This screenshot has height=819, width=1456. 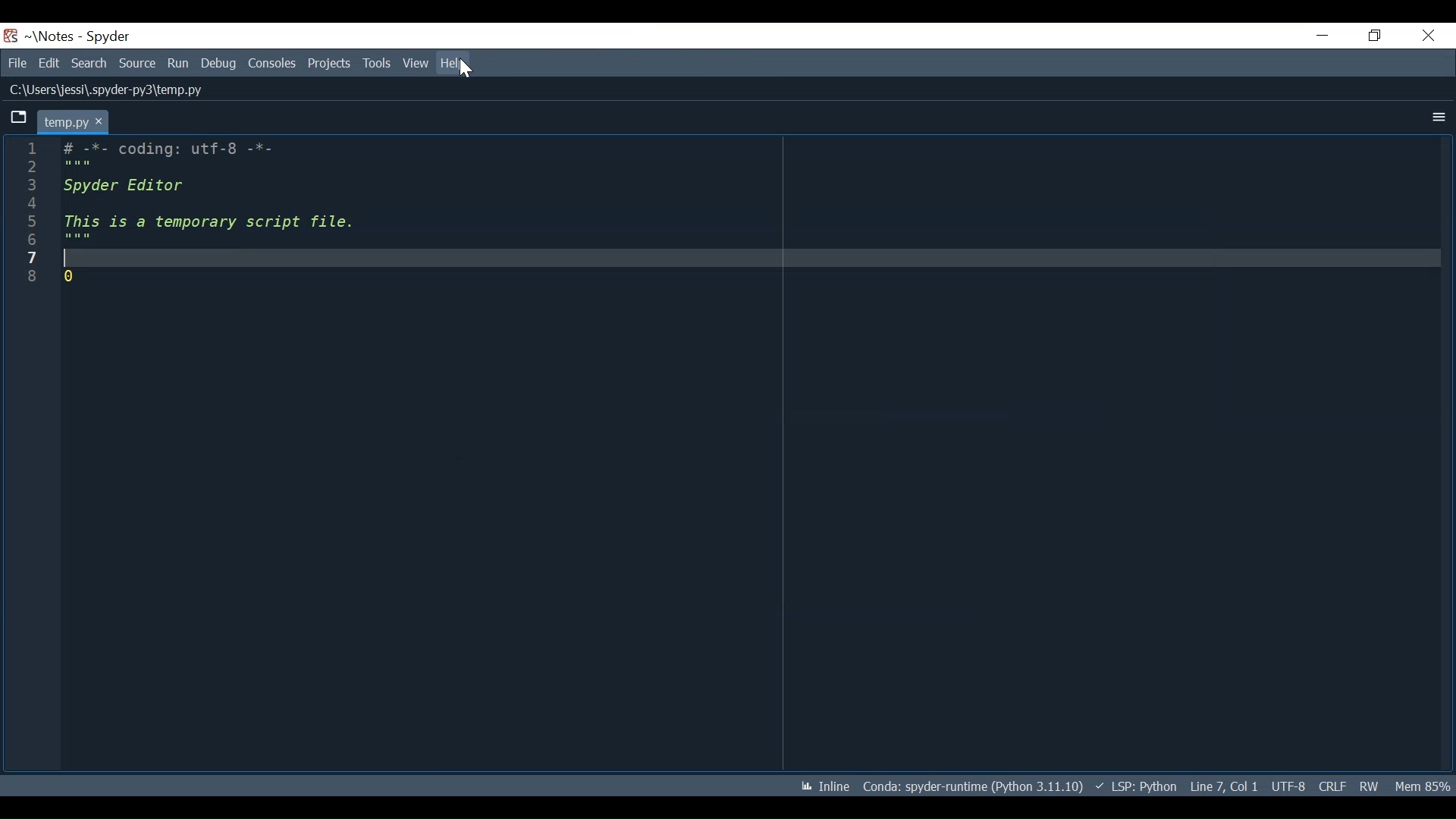 I want to click on LSP: Python, so click(x=1136, y=786).